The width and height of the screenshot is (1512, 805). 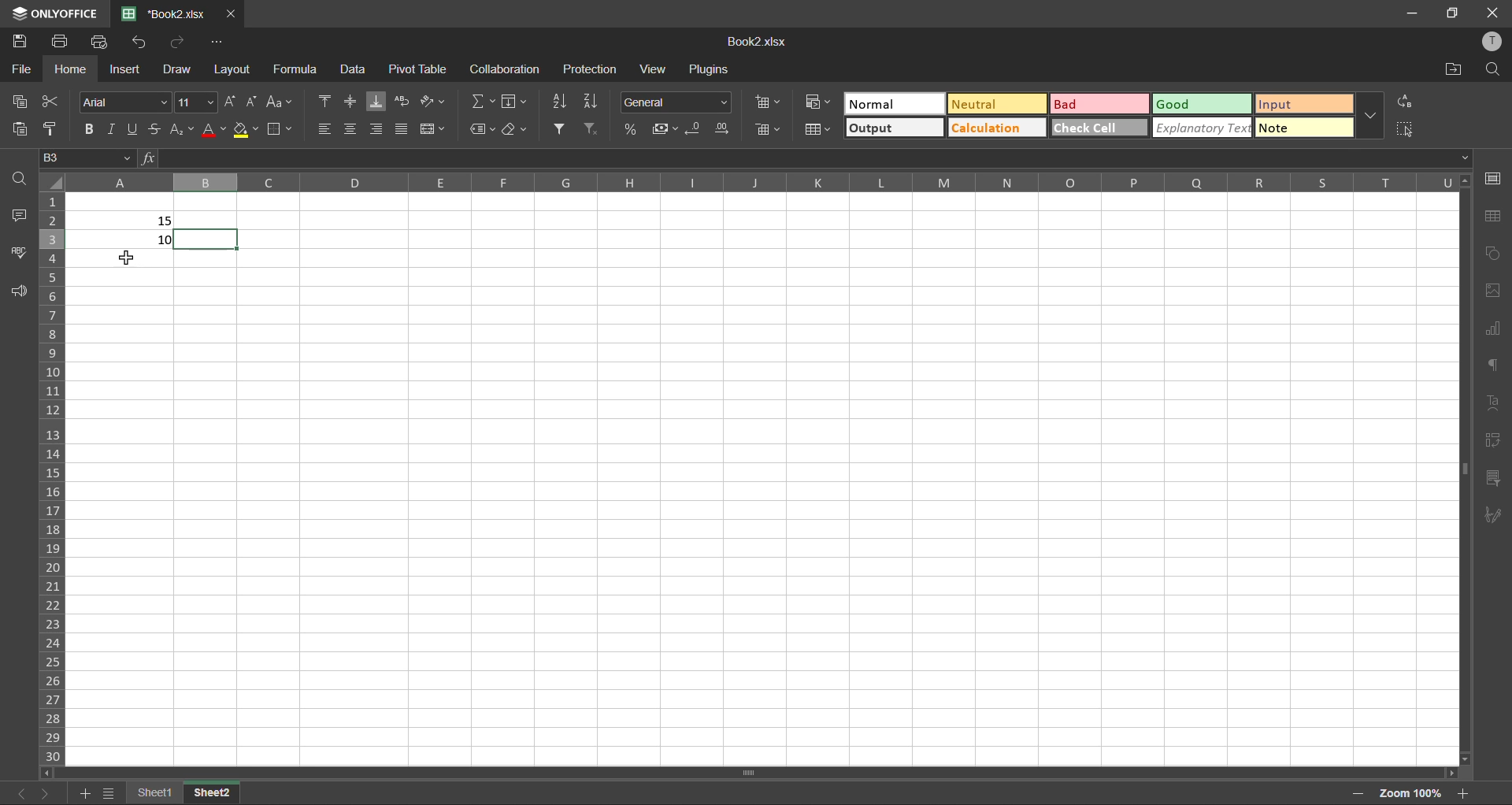 What do you see at coordinates (513, 102) in the screenshot?
I see `fields` at bounding box center [513, 102].